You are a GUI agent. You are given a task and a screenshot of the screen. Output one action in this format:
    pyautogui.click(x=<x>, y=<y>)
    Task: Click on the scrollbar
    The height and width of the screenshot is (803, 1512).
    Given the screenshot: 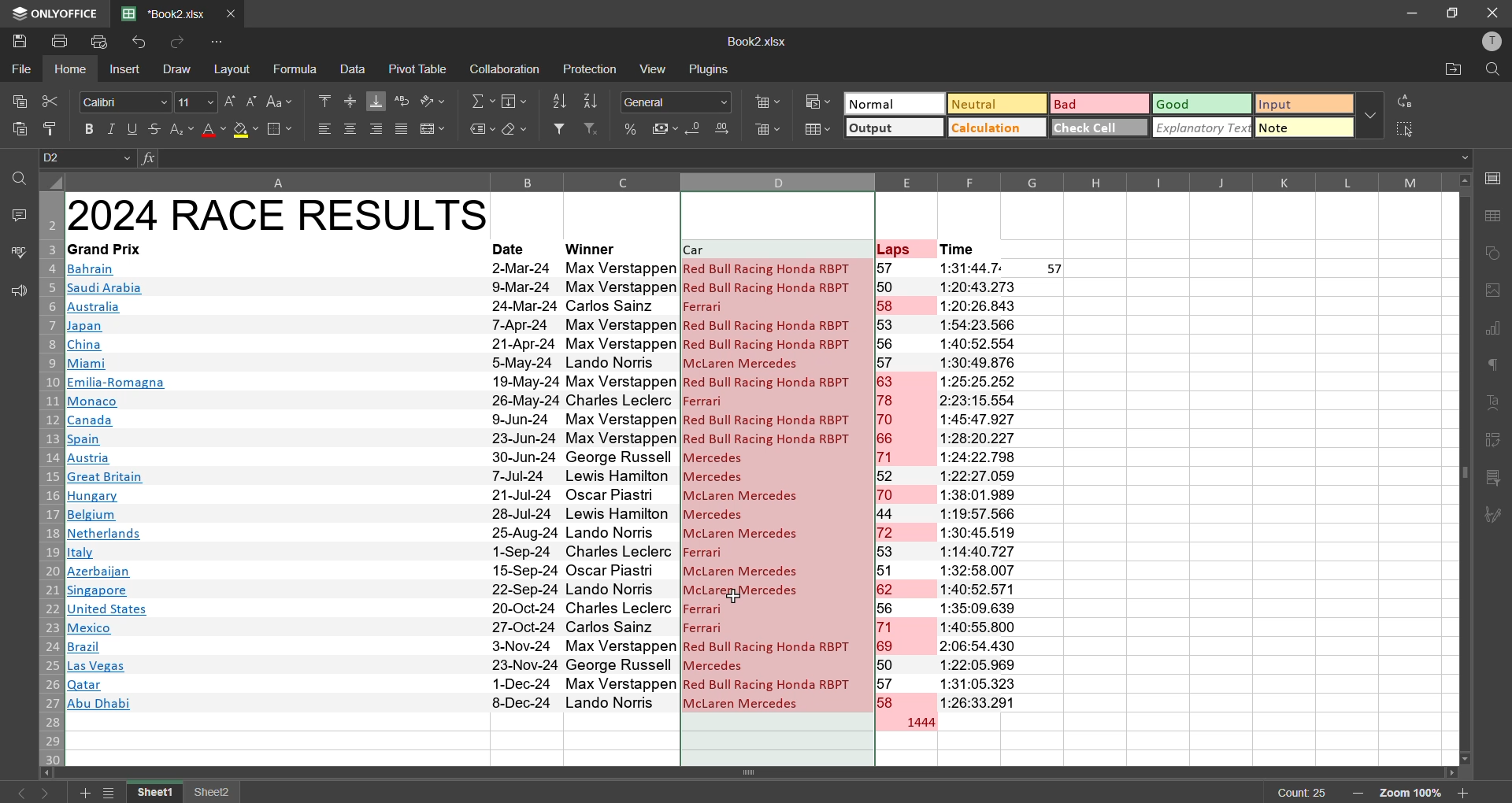 What is the action you would take?
    pyautogui.click(x=1464, y=469)
    